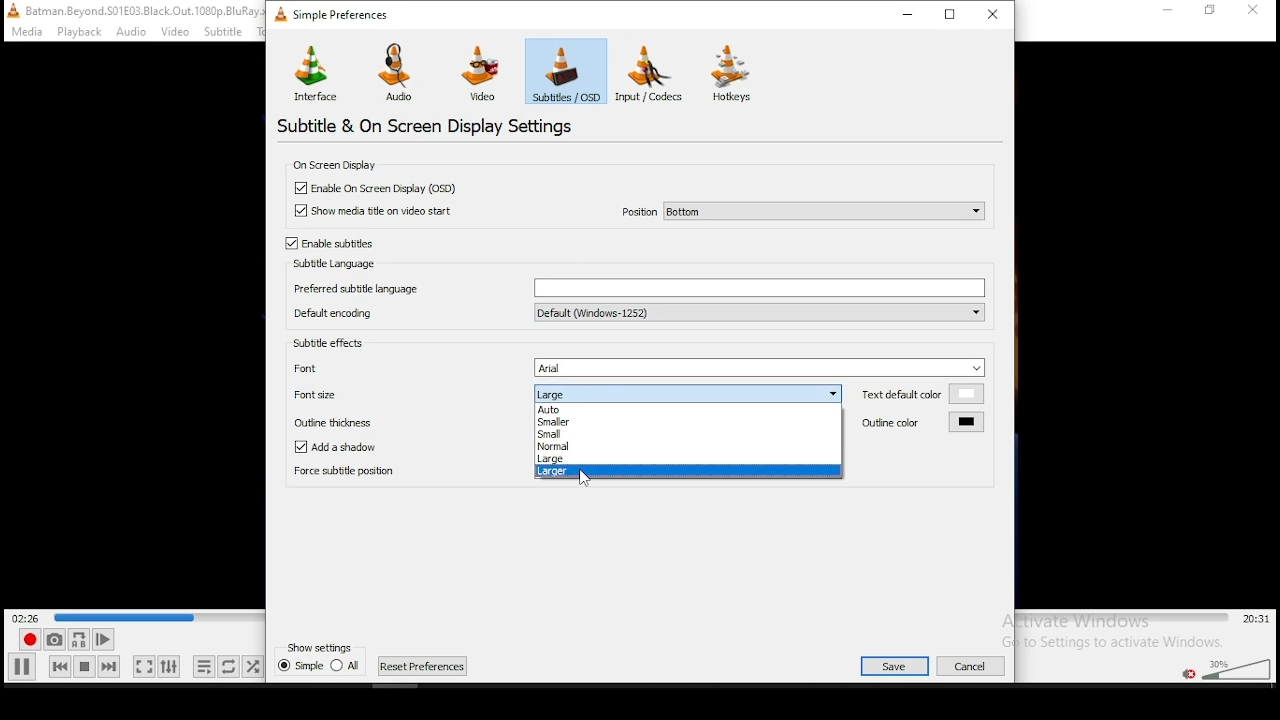  I want to click on large, so click(686, 393).